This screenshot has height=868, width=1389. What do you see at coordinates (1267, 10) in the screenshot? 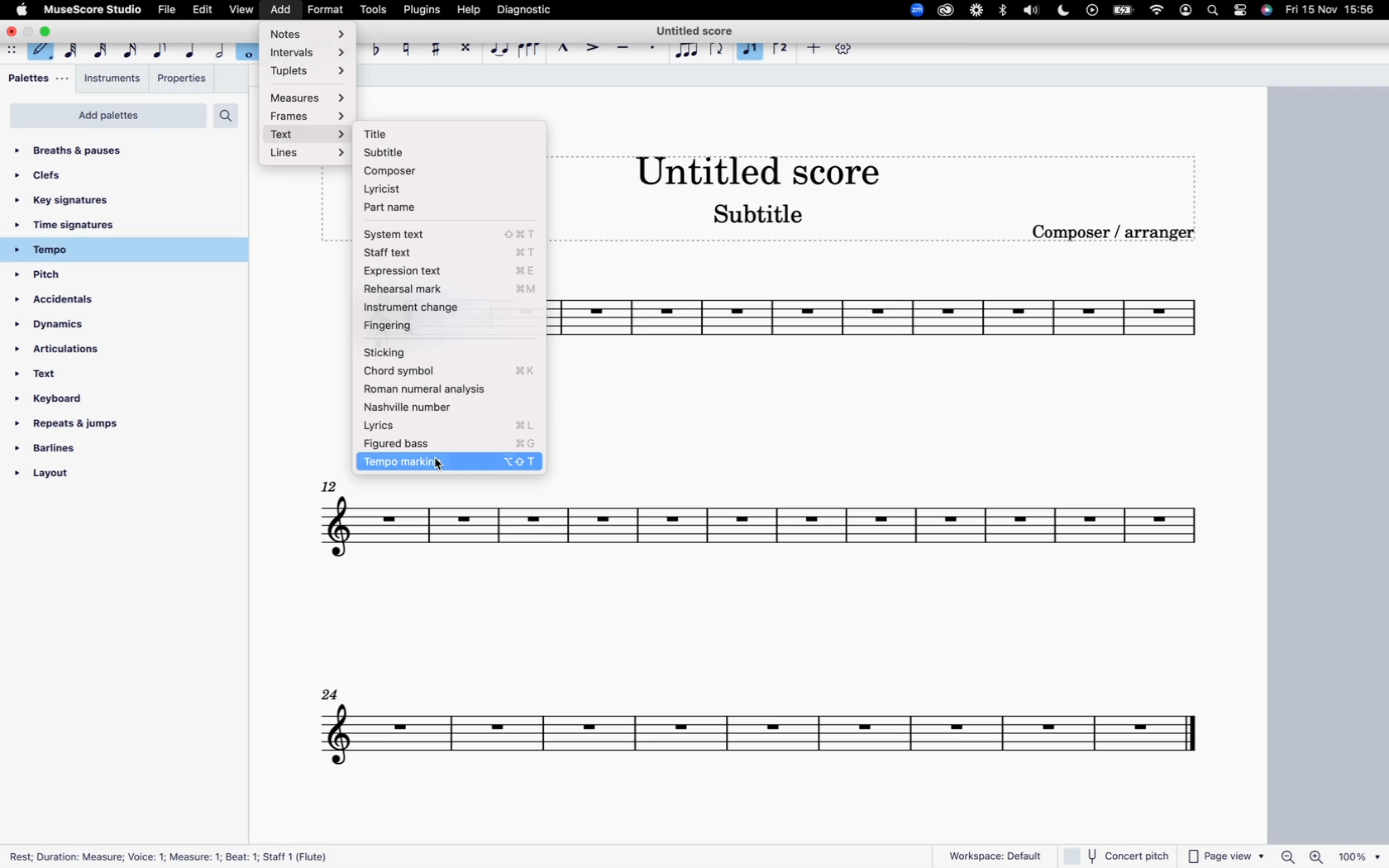
I see `siri` at bounding box center [1267, 10].